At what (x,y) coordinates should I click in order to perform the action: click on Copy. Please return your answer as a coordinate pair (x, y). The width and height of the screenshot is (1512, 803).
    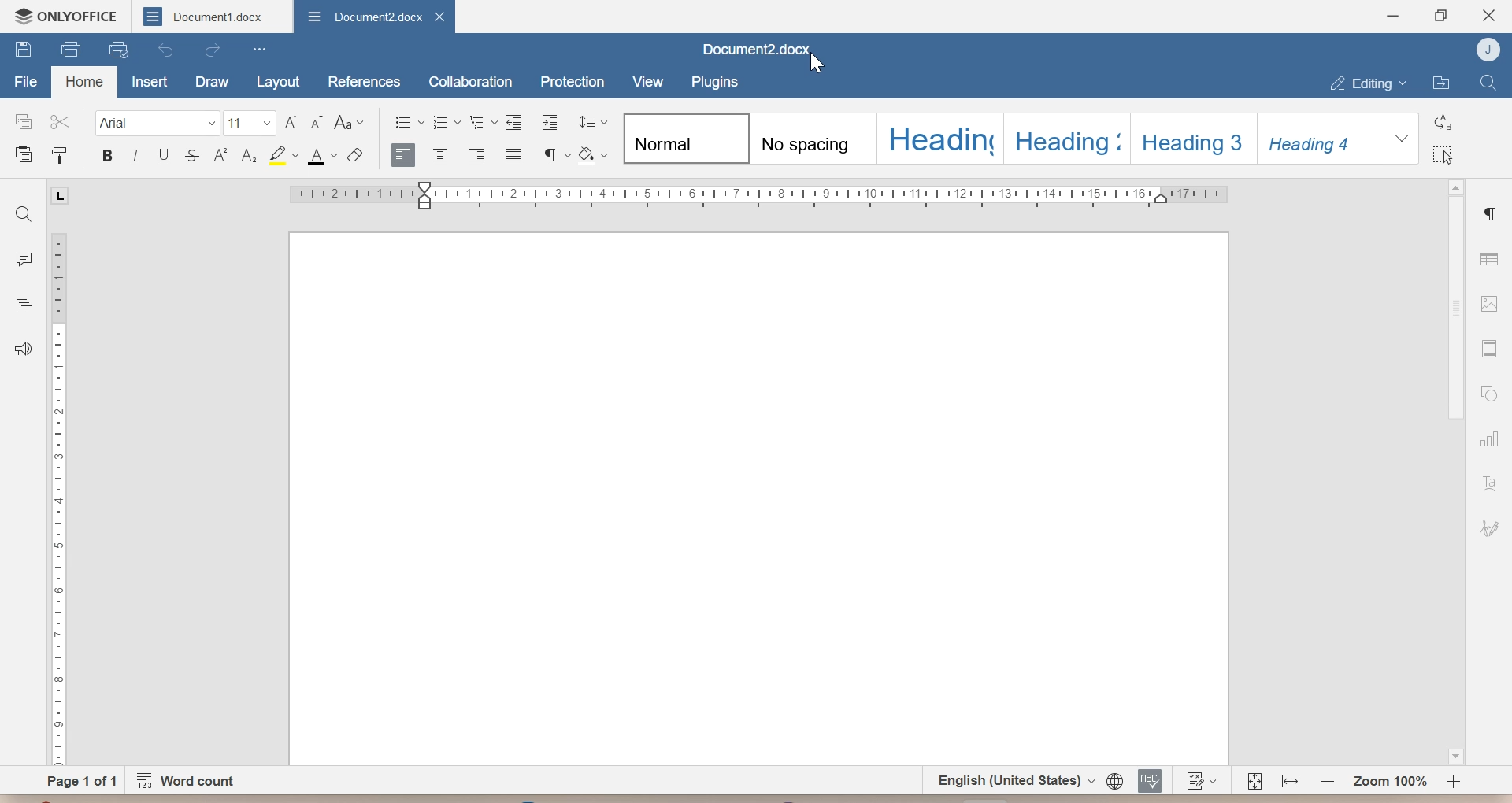
    Looking at the image, I should click on (18, 121).